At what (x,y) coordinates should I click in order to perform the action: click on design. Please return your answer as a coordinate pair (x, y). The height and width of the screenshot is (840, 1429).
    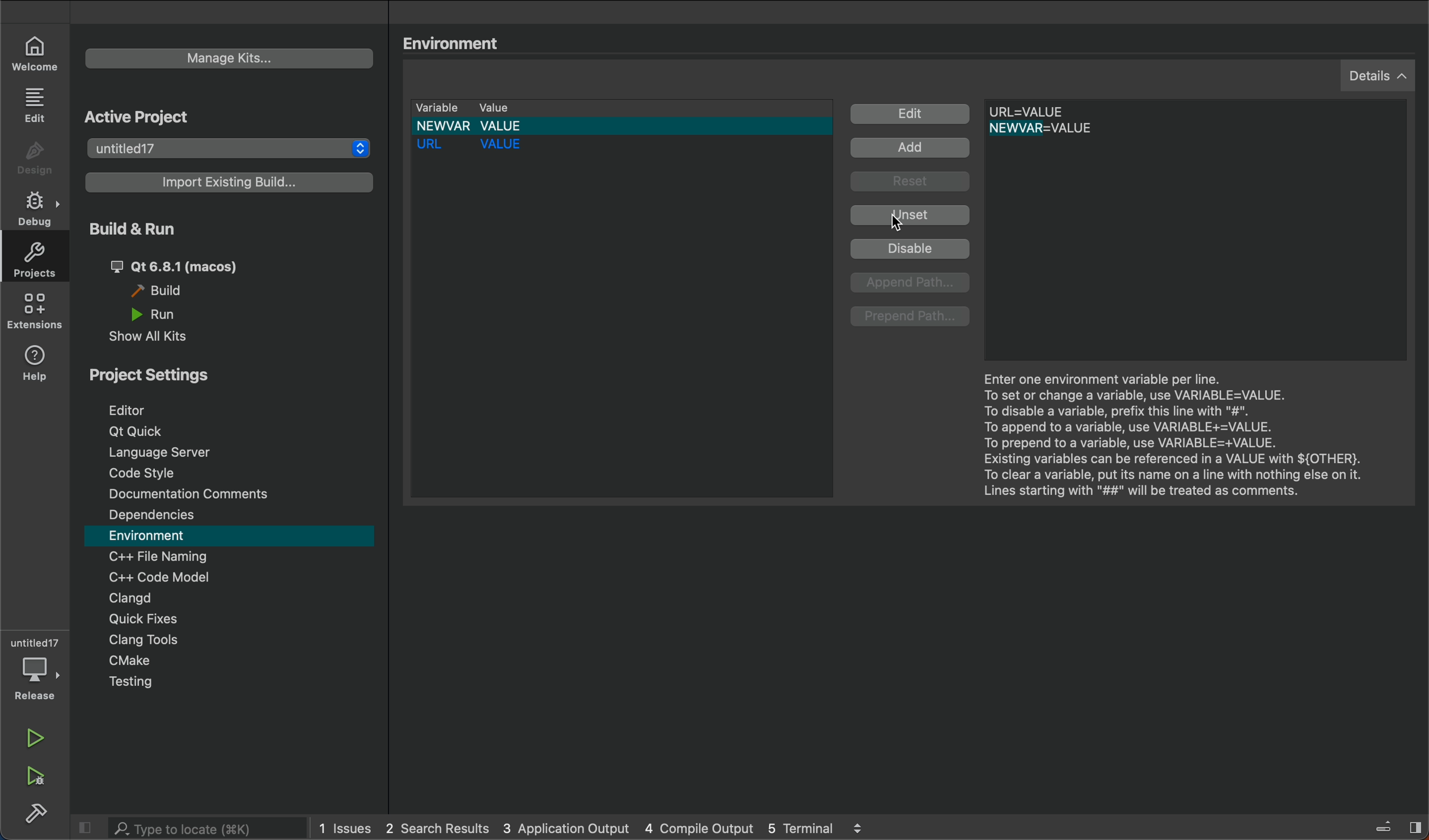
    Looking at the image, I should click on (35, 158).